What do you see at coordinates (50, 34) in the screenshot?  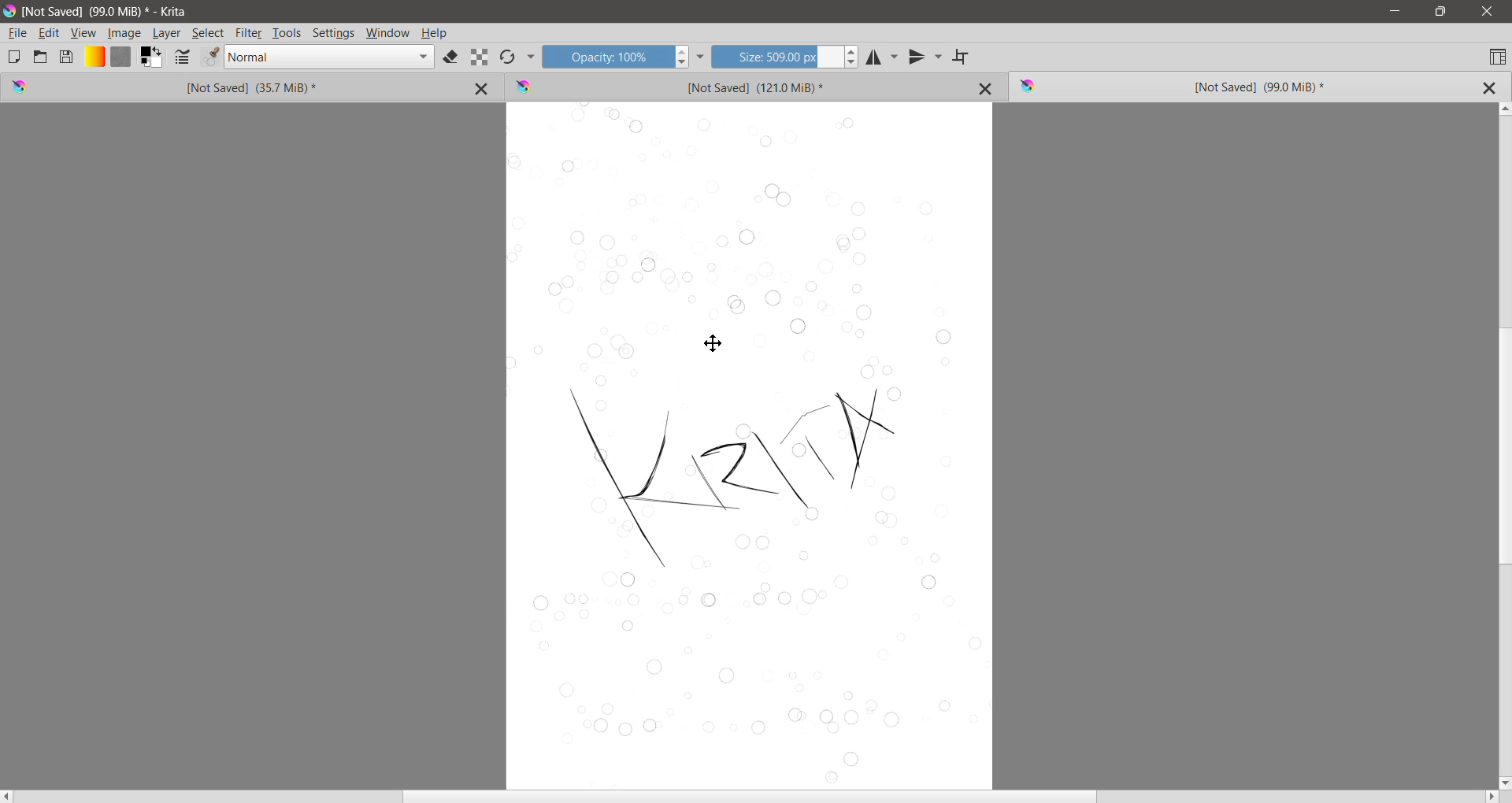 I see `Edit` at bounding box center [50, 34].